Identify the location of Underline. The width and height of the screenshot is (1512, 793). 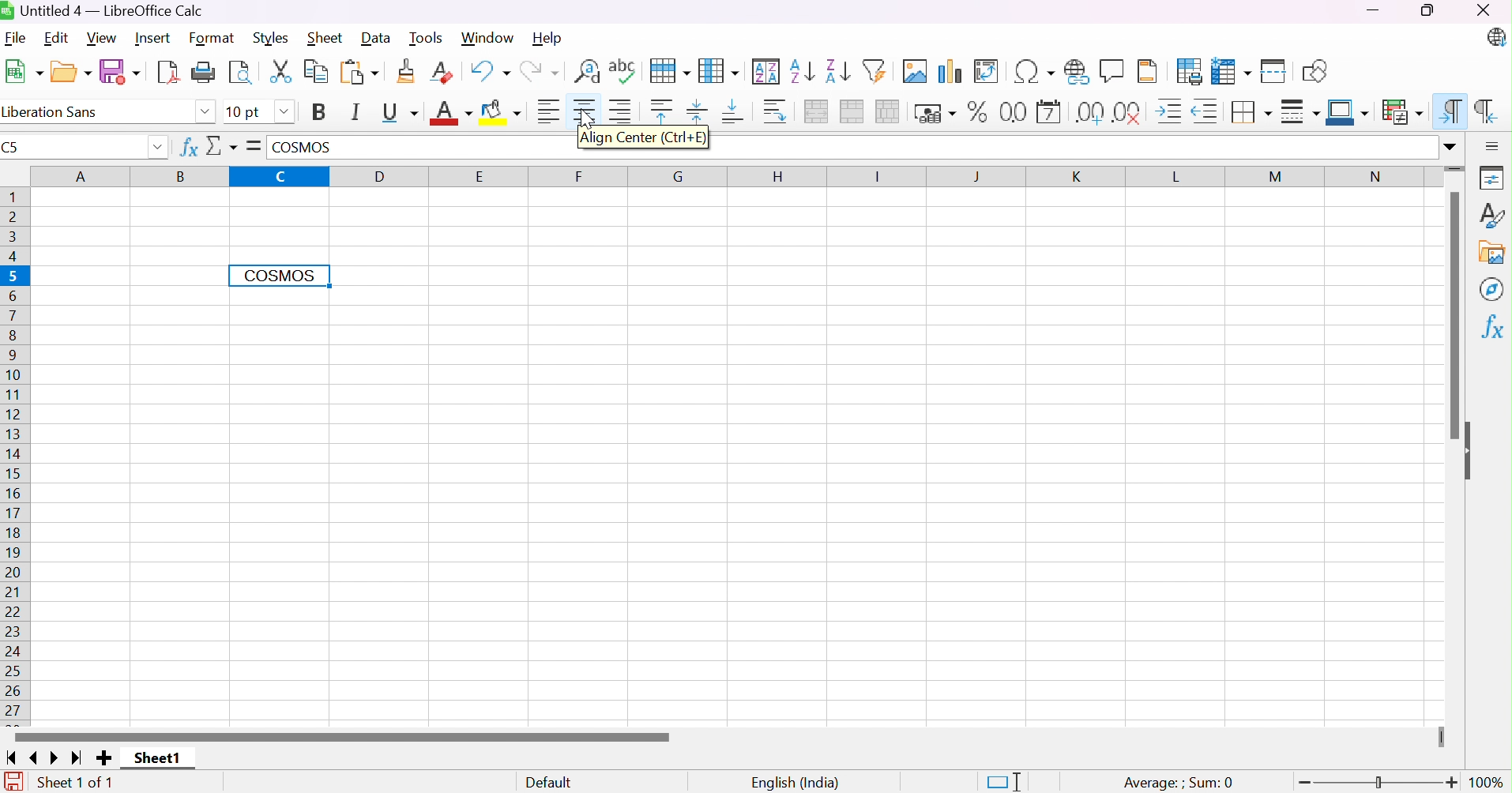
(401, 115).